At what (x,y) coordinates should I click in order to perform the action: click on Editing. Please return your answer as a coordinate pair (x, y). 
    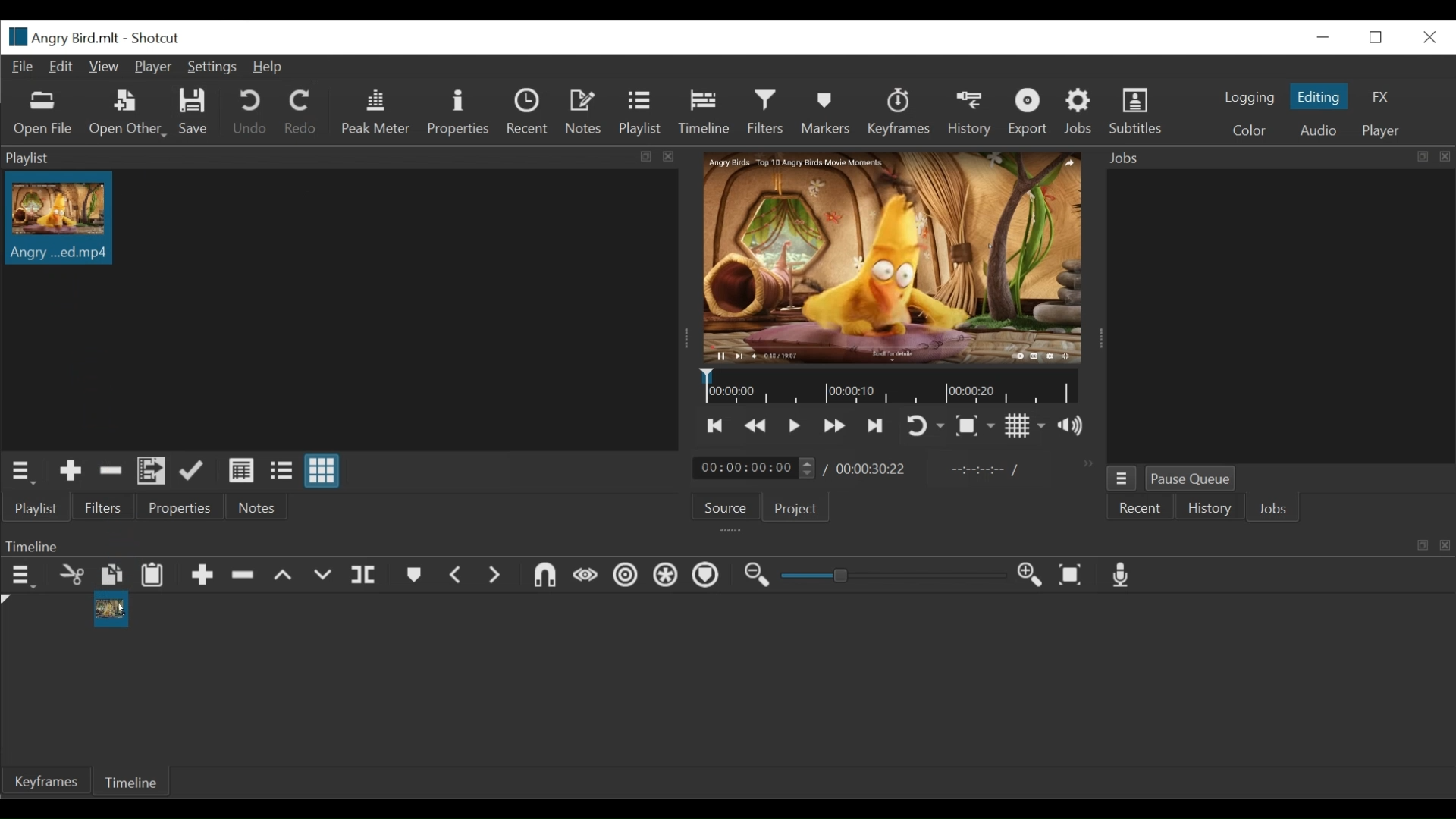
    Looking at the image, I should click on (1320, 97).